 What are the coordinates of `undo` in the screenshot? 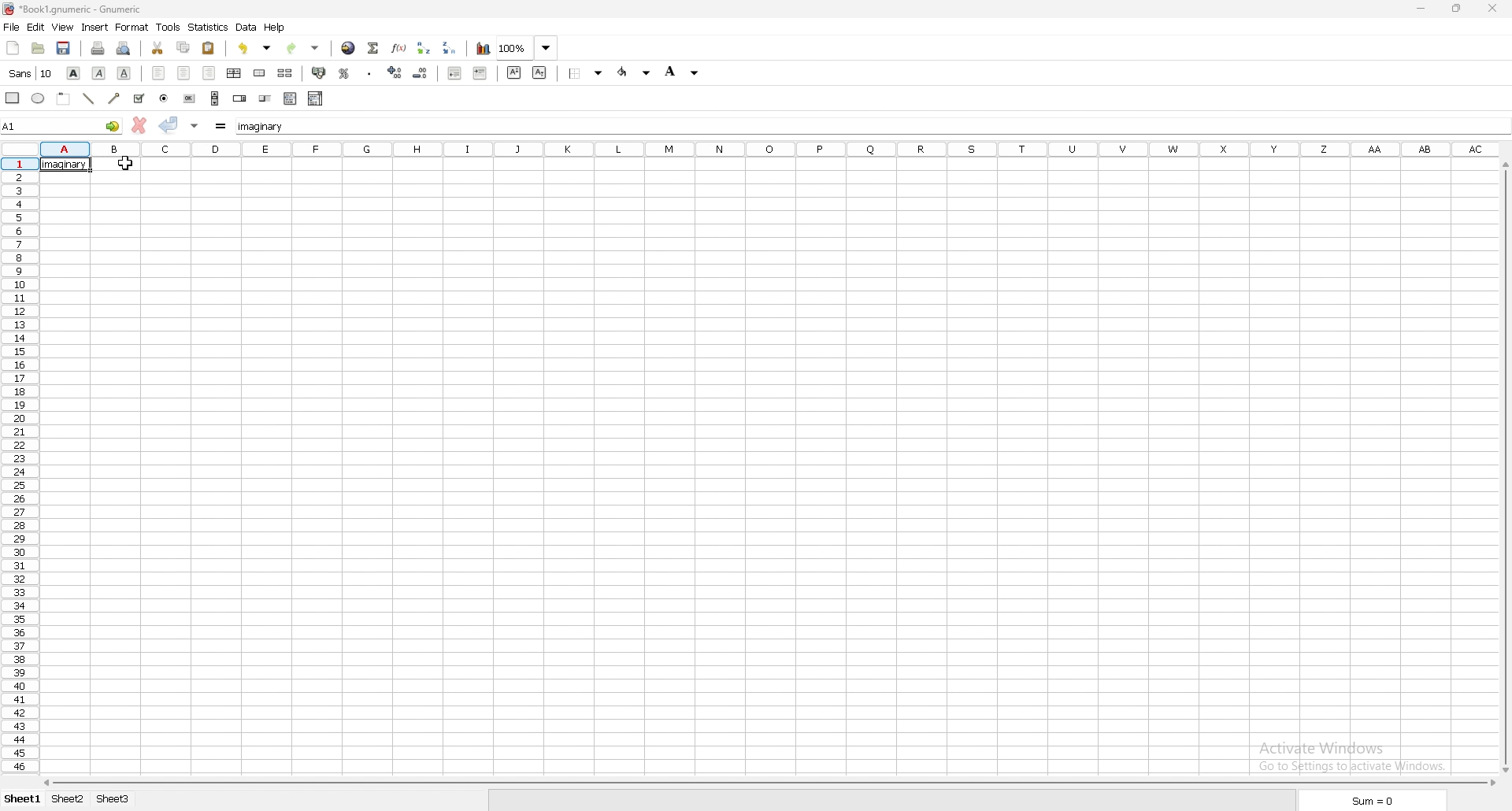 It's located at (254, 48).